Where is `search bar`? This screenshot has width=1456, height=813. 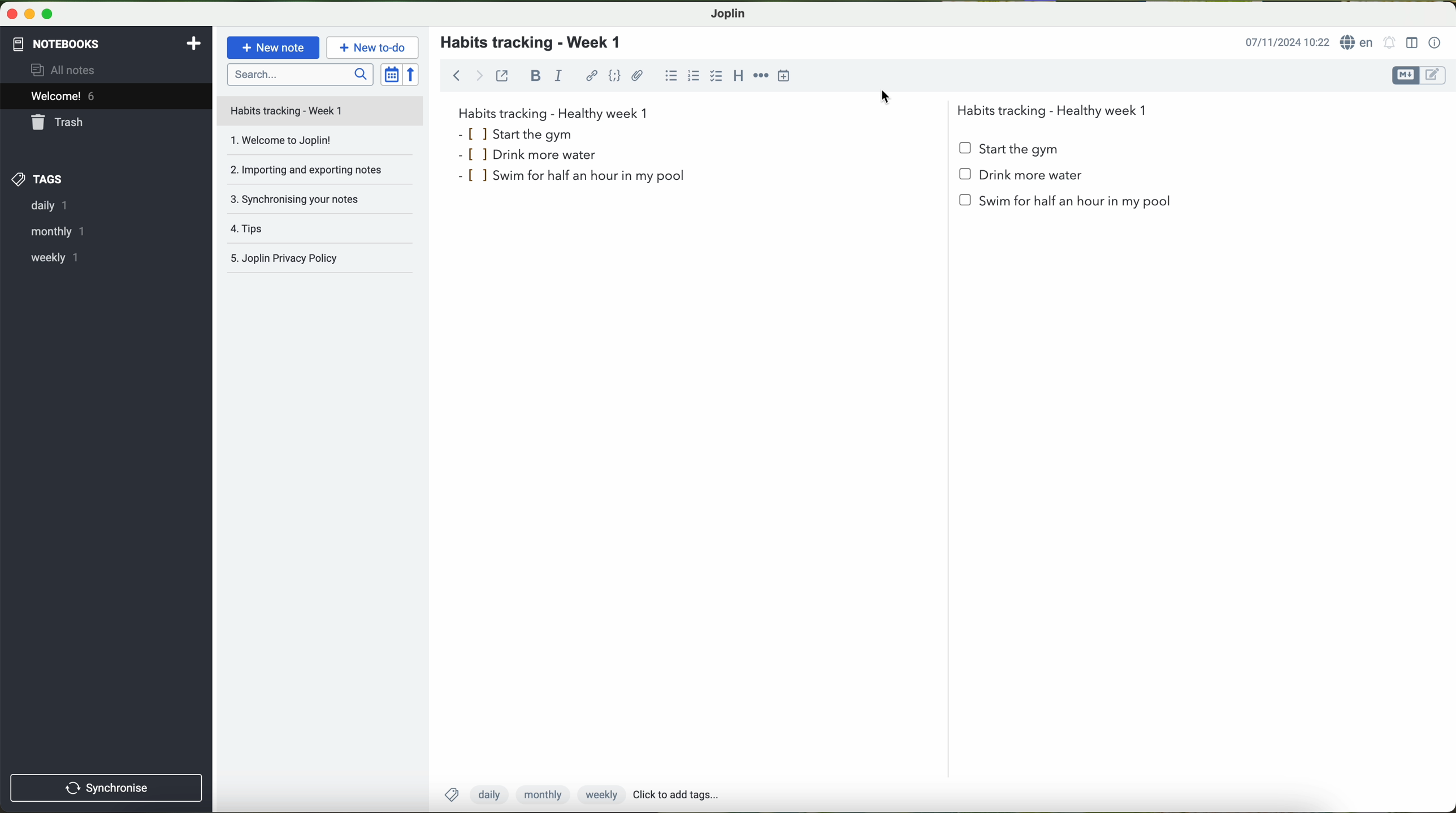
search bar is located at coordinates (299, 74).